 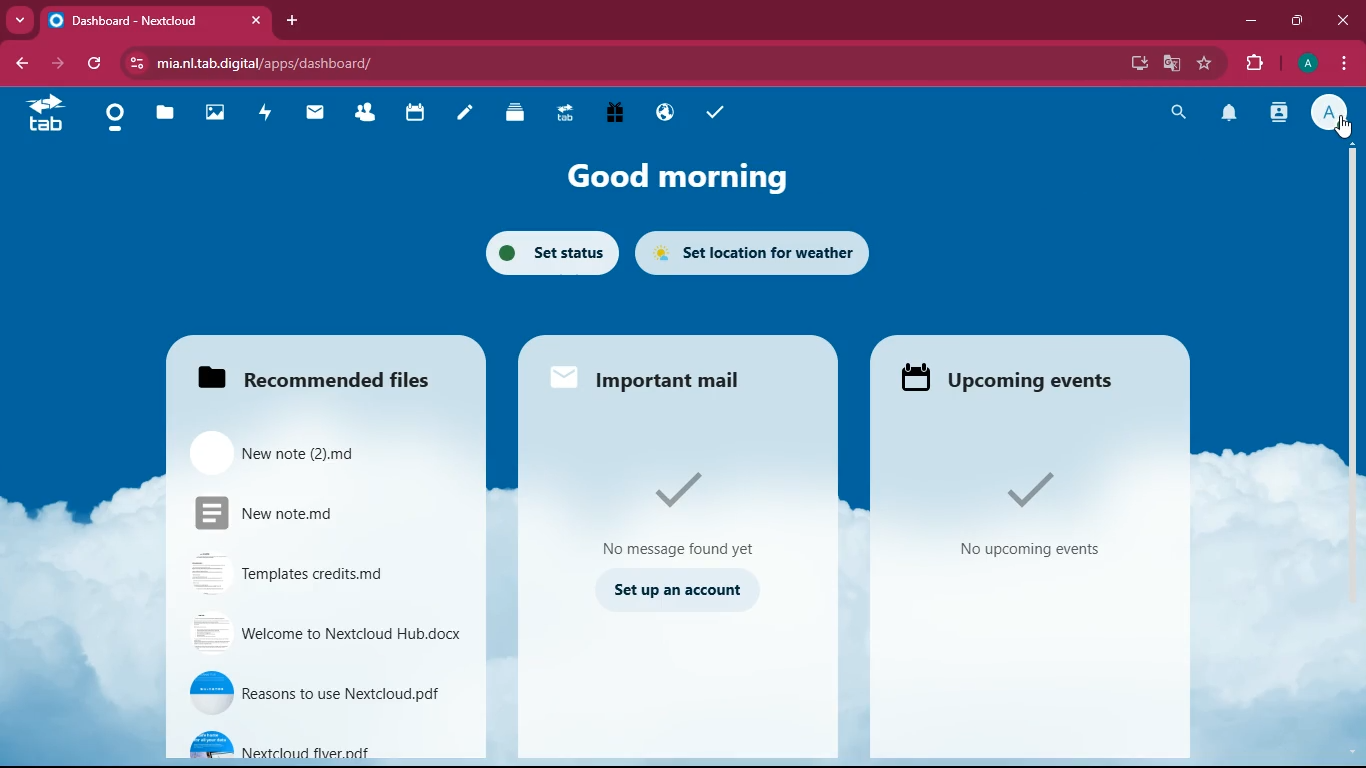 I want to click on Free Trail PC, so click(x=614, y=114).